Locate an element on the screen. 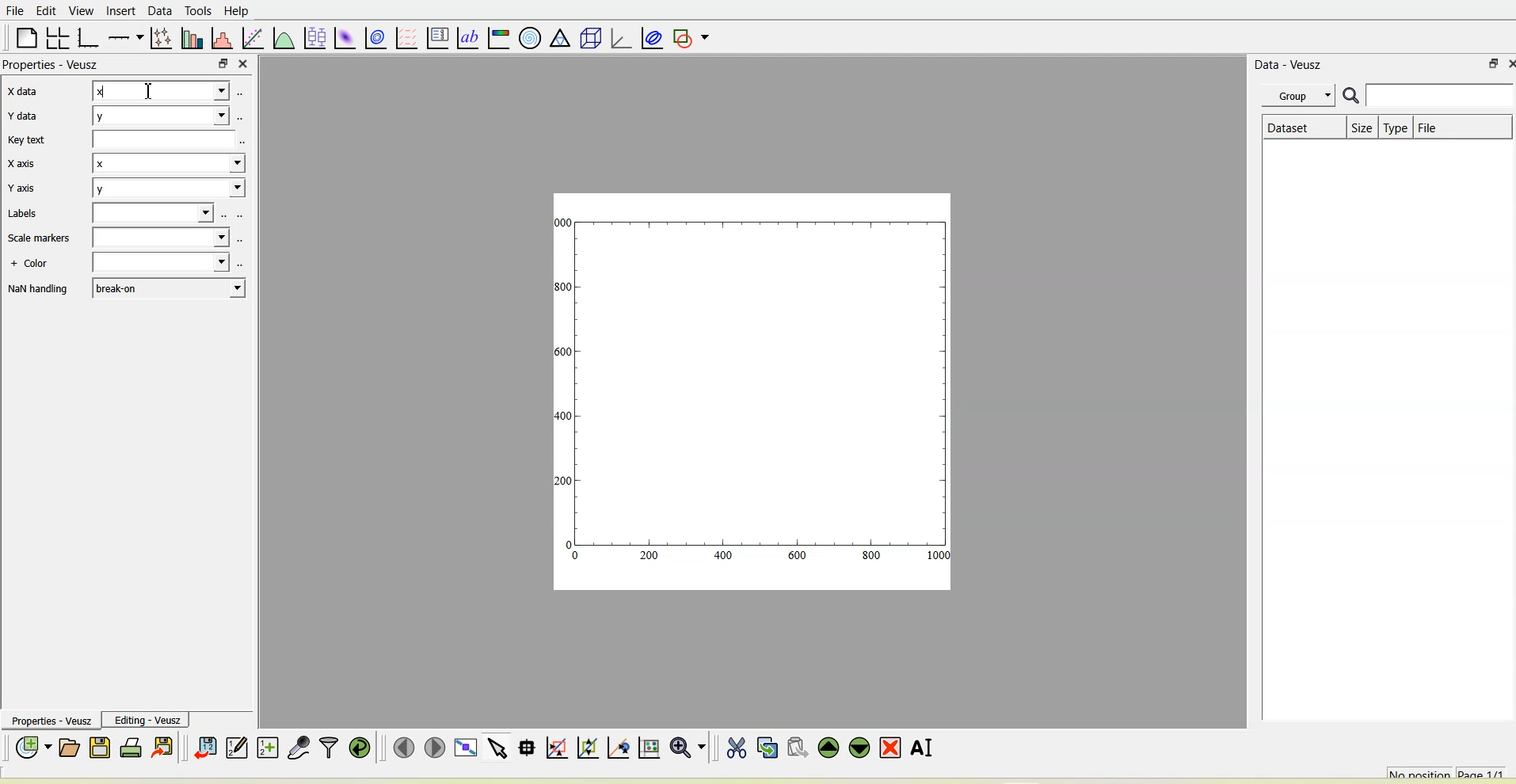 Image resolution: width=1516 pixels, height=784 pixels. Plot covariance ellipses is located at coordinates (650, 36).